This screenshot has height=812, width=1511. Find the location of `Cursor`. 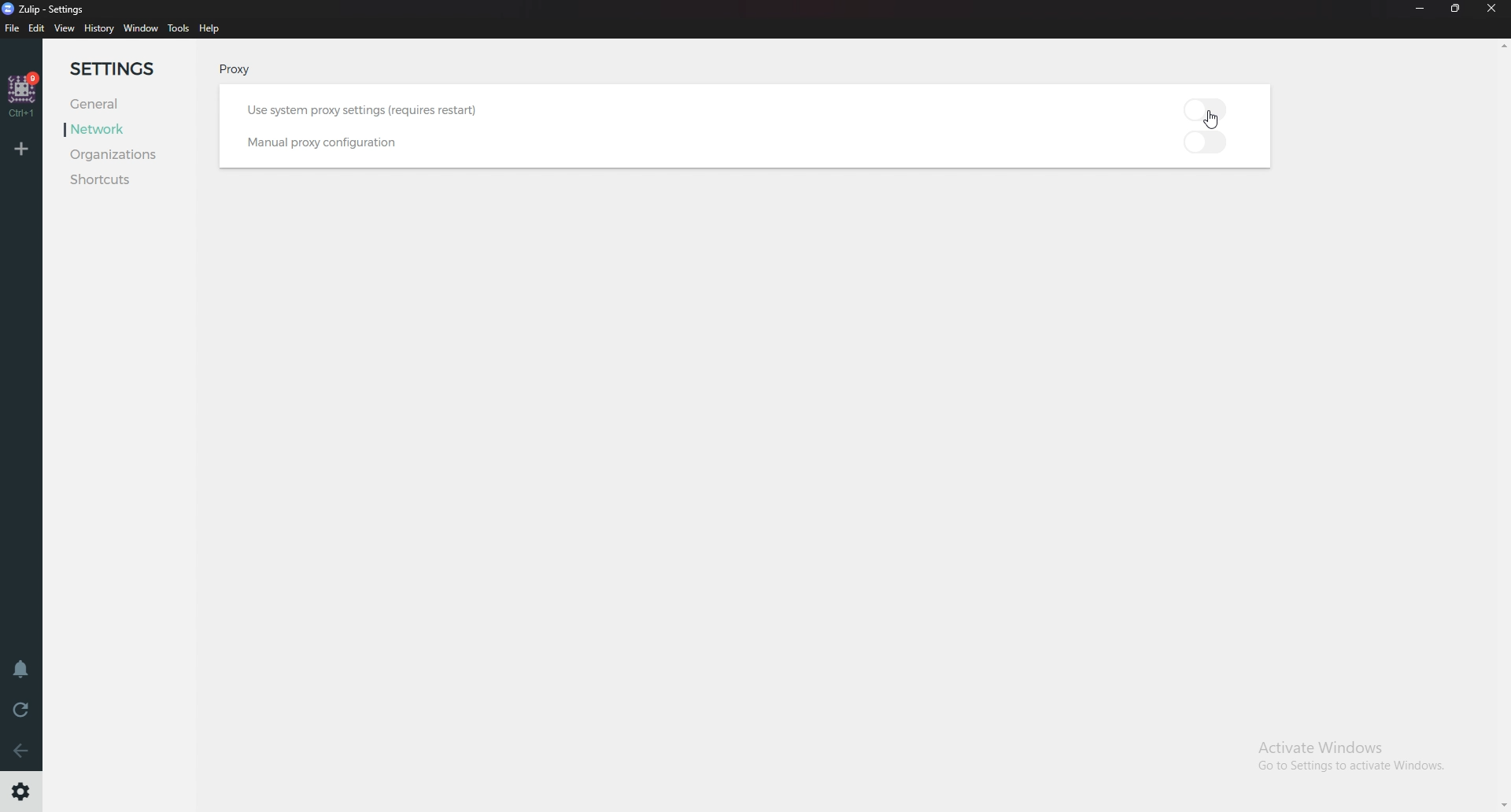

Cursor is located at coordinates (1214, 123).